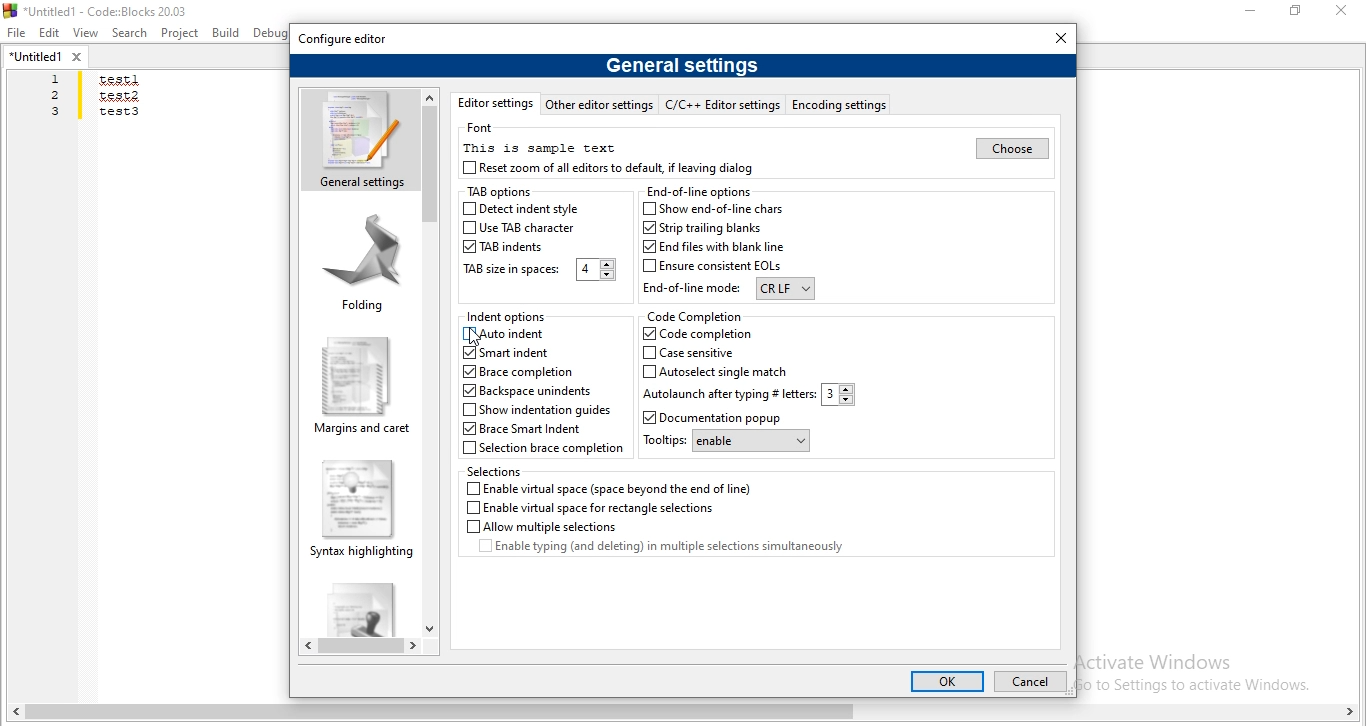 The image size is (1366, 726). Describe the element at coordinates (536, 411) in the screenshot. I see `Show indentation guides` at that location.